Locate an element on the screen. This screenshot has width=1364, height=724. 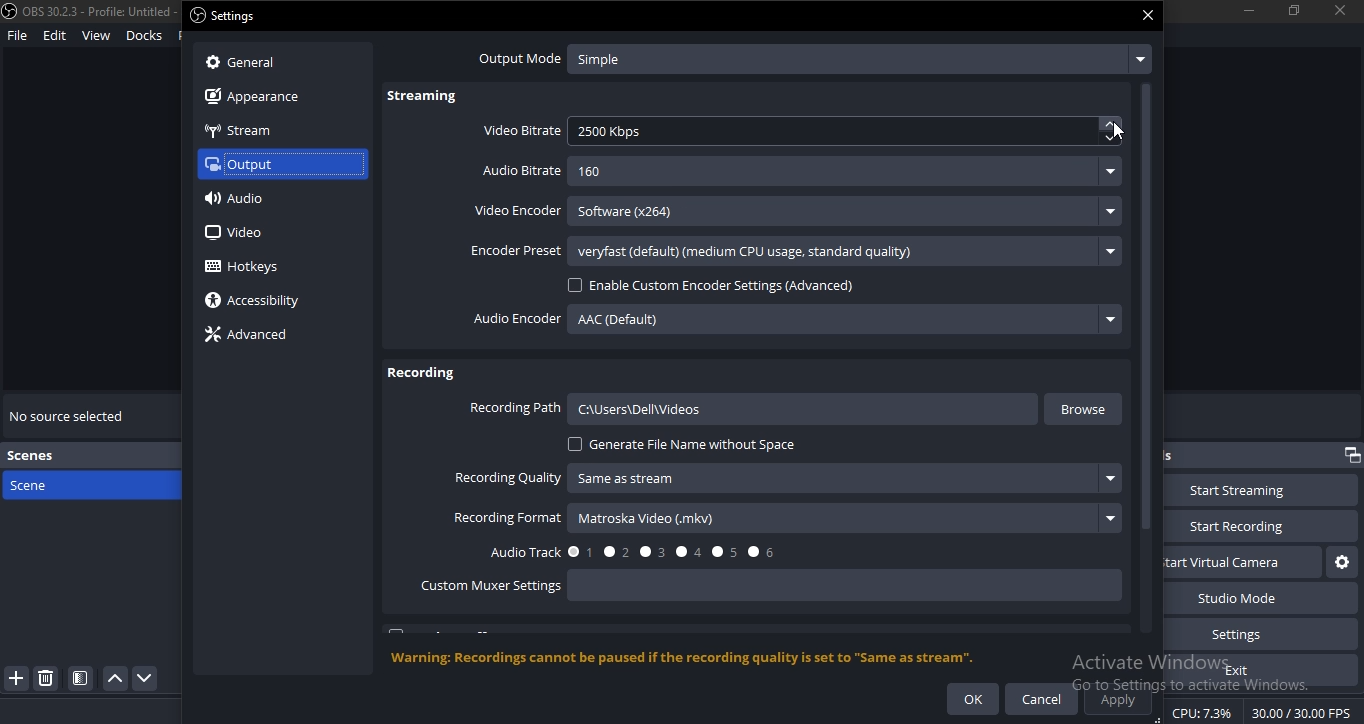
up is located at coordinates (1112, 125).